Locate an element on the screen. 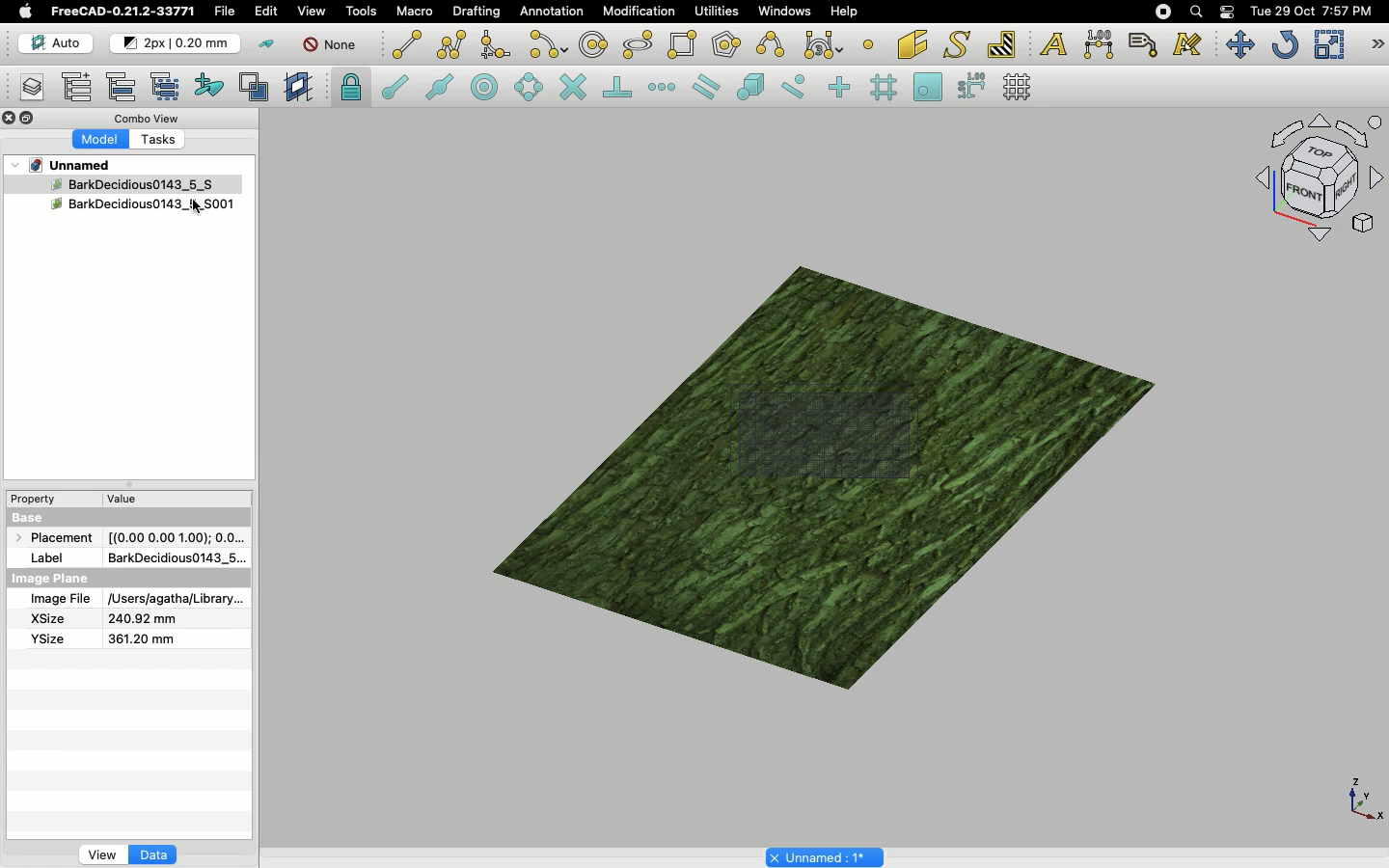 Image resolution: width=1389 pixels, height=868 pixels. Image File is located at coordinates (60, 600).